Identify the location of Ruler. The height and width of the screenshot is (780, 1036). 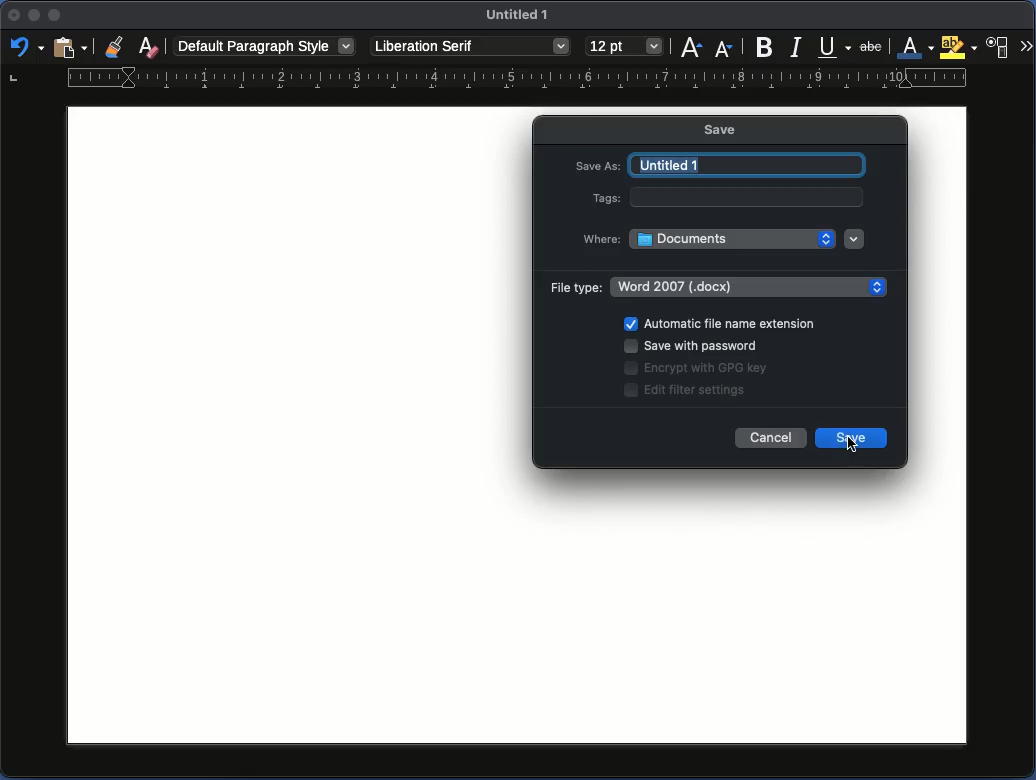
(488, 80).